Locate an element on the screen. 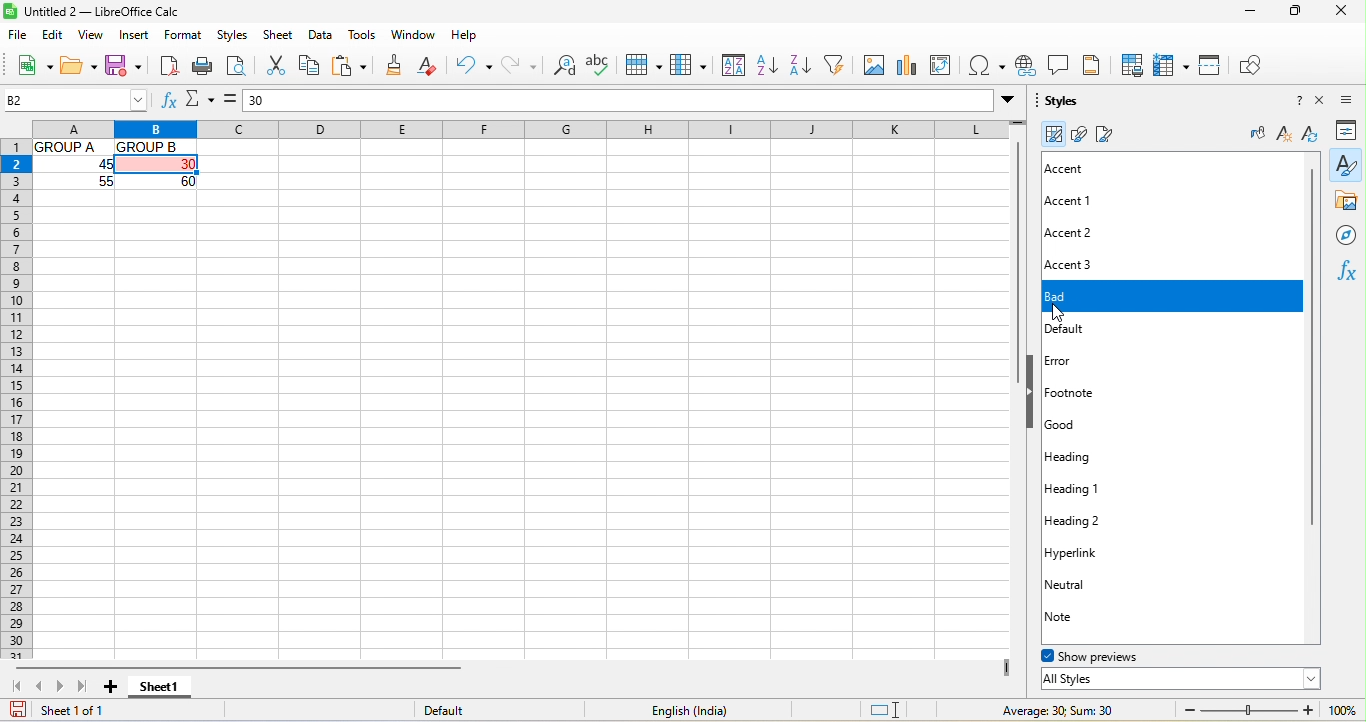  fill format is located at coordinates (1255, 135).